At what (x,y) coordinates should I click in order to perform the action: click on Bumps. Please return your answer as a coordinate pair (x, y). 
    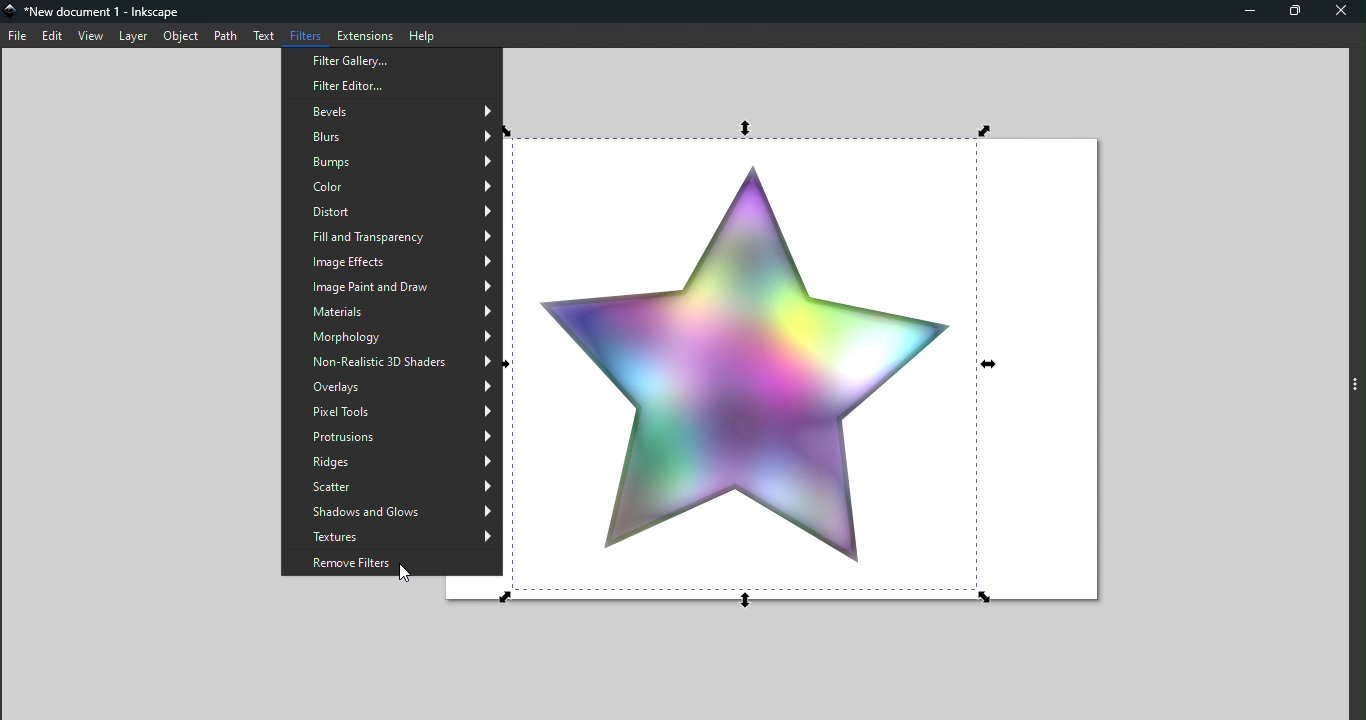
    Looking at the image, I should click on (392, 163).